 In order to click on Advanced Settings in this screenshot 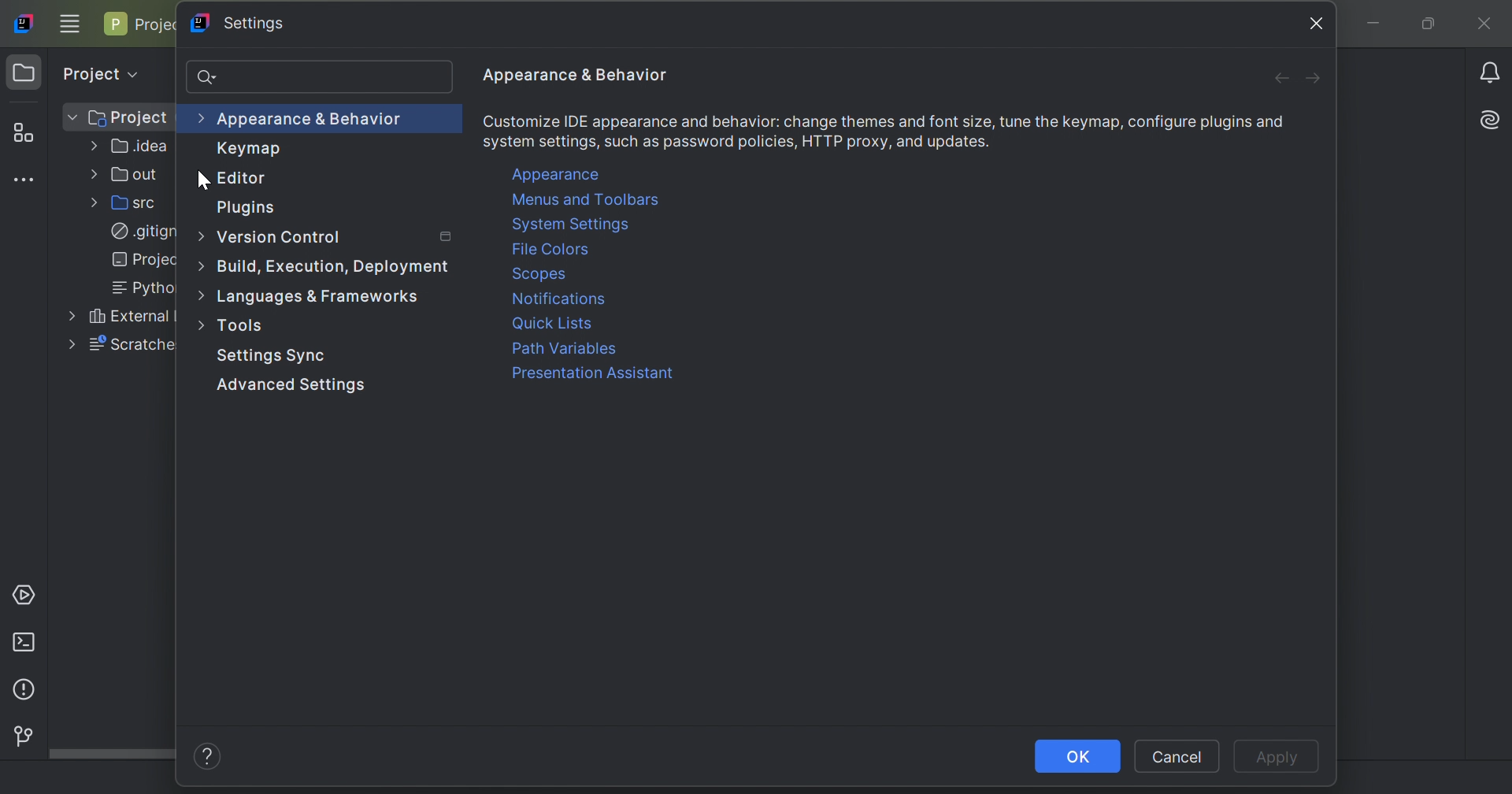, I will do `click(287, 389)`.